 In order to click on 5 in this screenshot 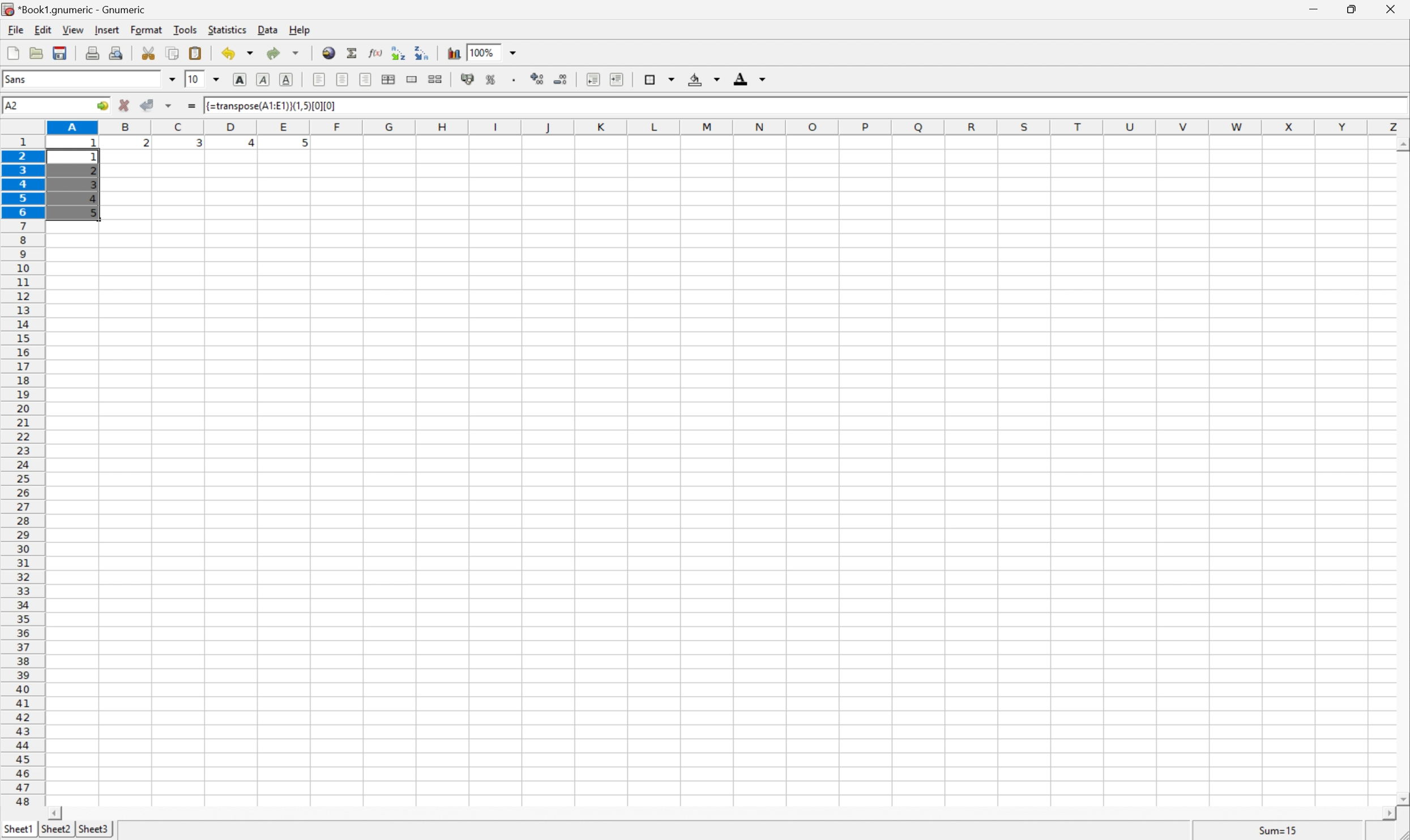, I will do `click(93, 212)`.